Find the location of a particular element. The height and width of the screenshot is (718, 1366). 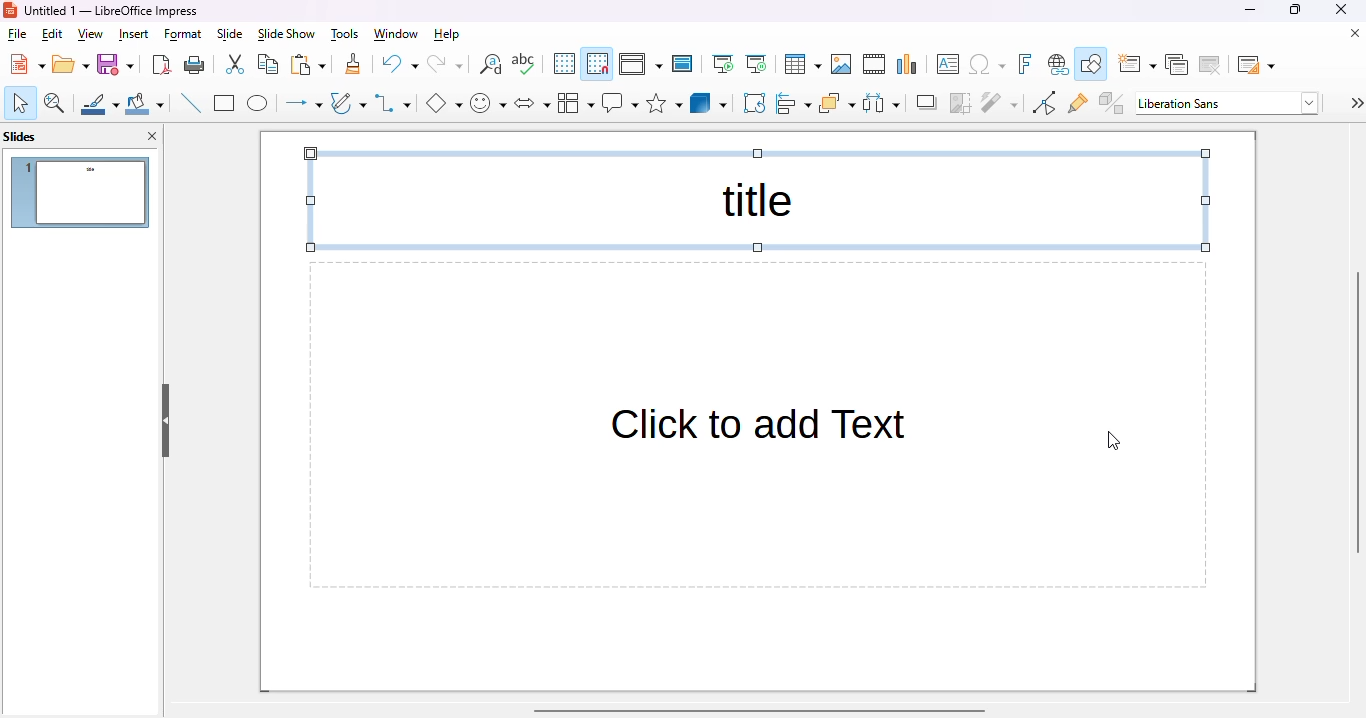

window is located at coordinates (396, 34).